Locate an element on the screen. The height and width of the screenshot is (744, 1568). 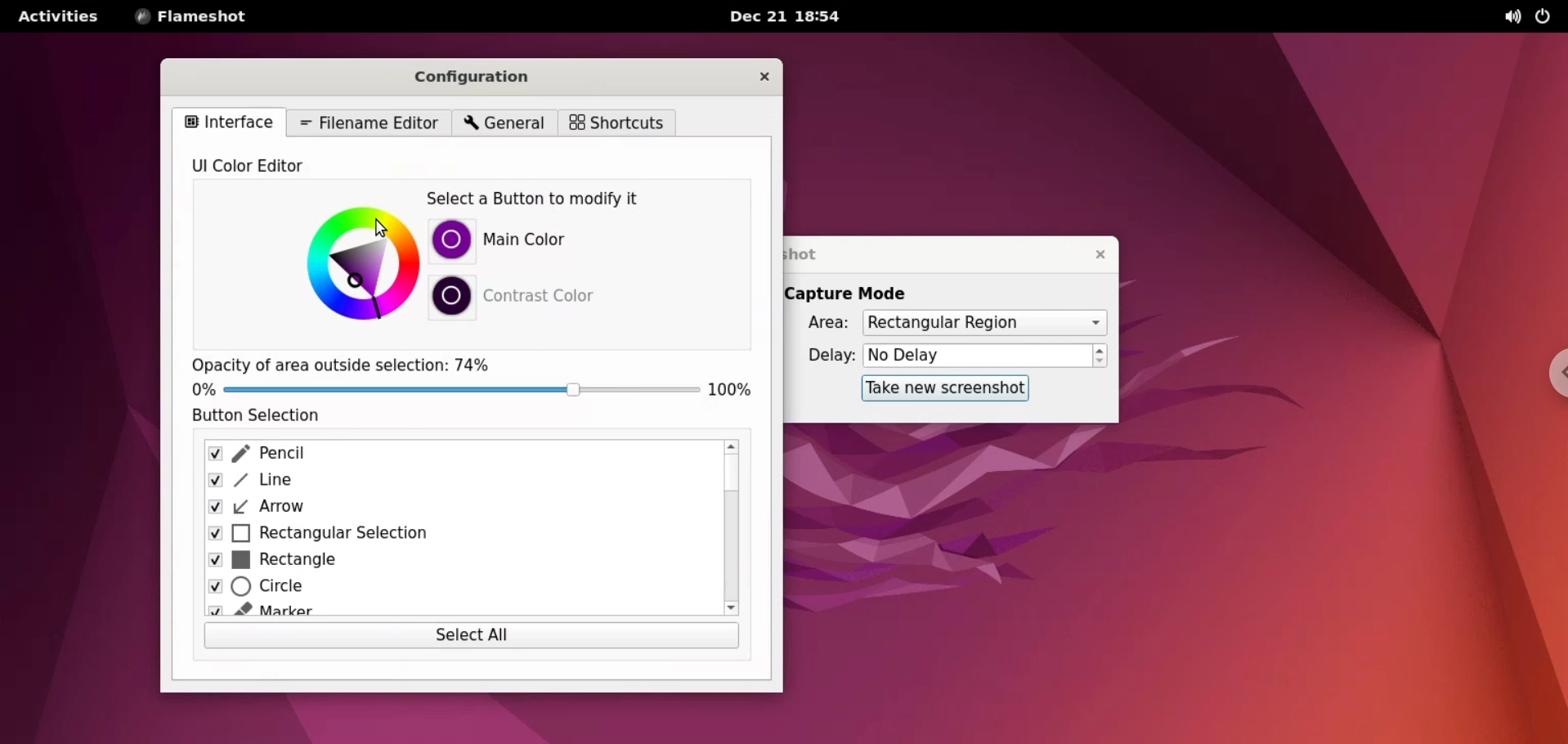
area options is located at coordinates (984, 324).